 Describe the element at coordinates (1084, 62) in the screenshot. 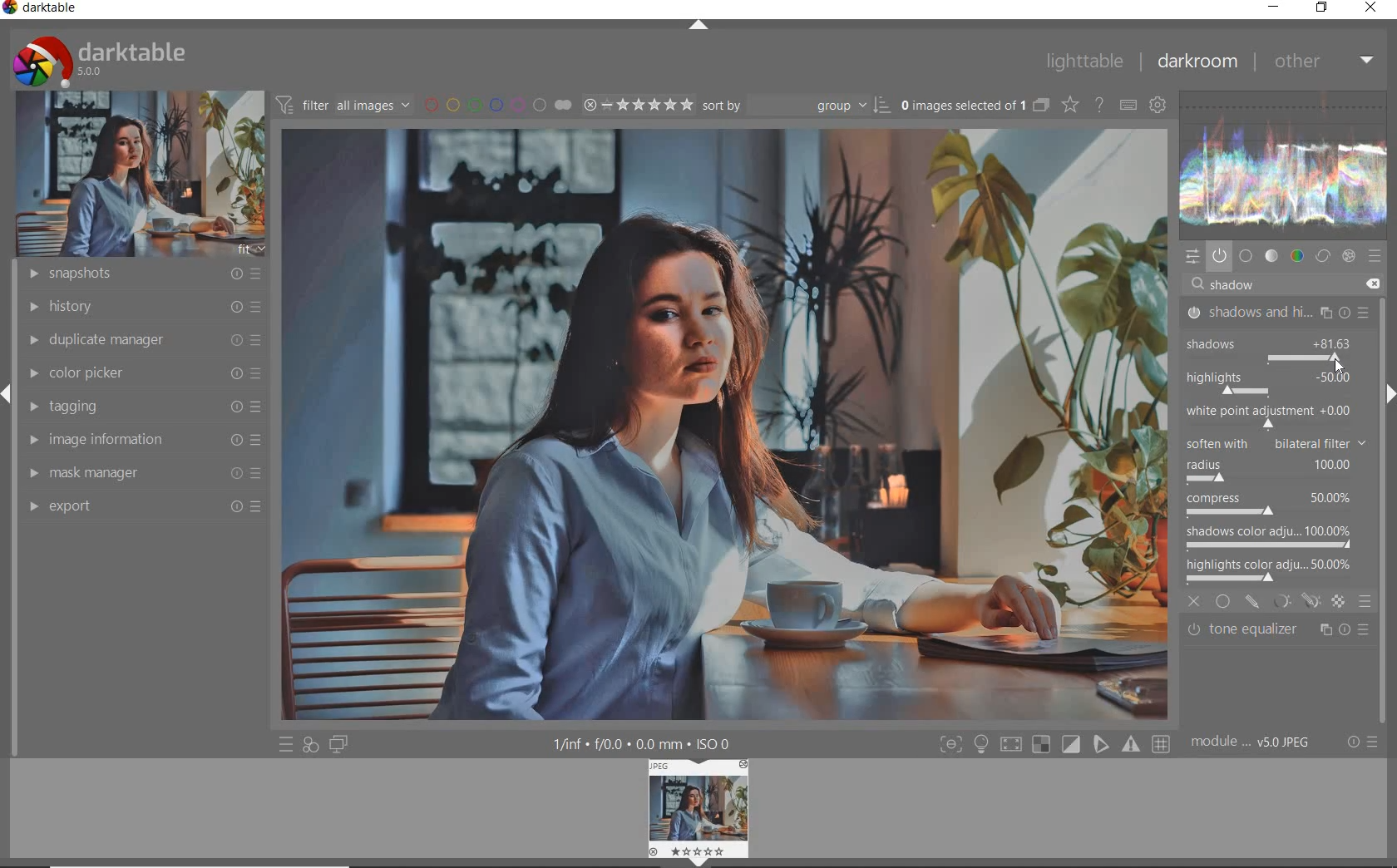

I see `lighttable` at that location.